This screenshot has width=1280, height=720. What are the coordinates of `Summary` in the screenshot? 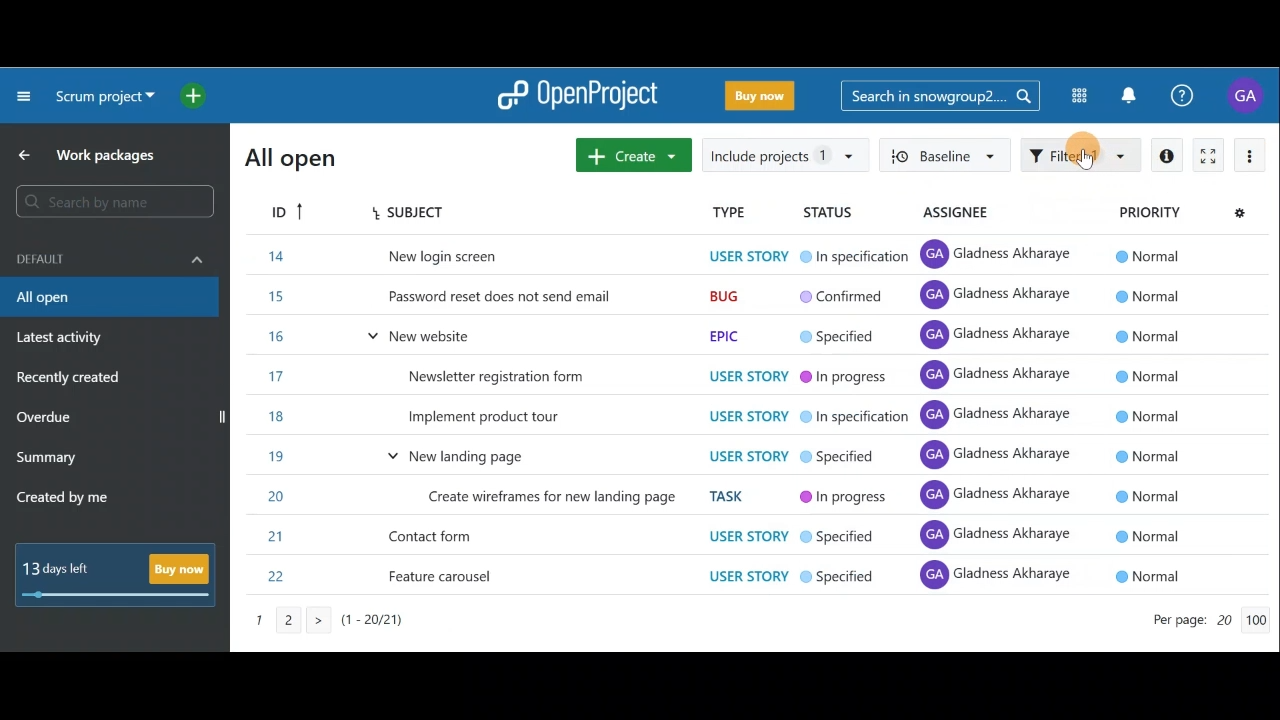 It's located at (47, 460).